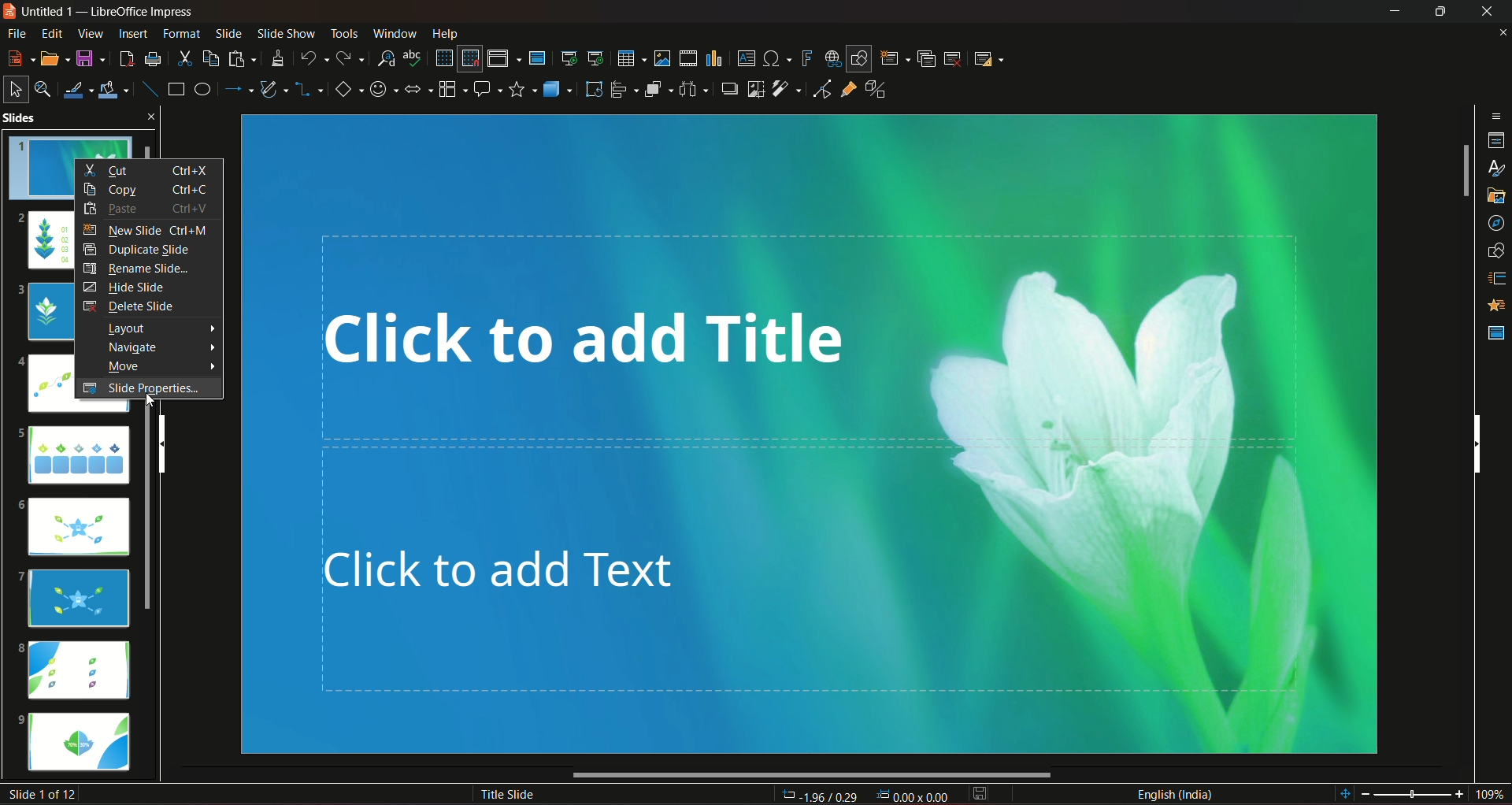 Image resolution: width=1512 pixels, height=805 pixels. Describe the element at coordinates (505, 793) in the screenshot. I see `title slide` at that location.